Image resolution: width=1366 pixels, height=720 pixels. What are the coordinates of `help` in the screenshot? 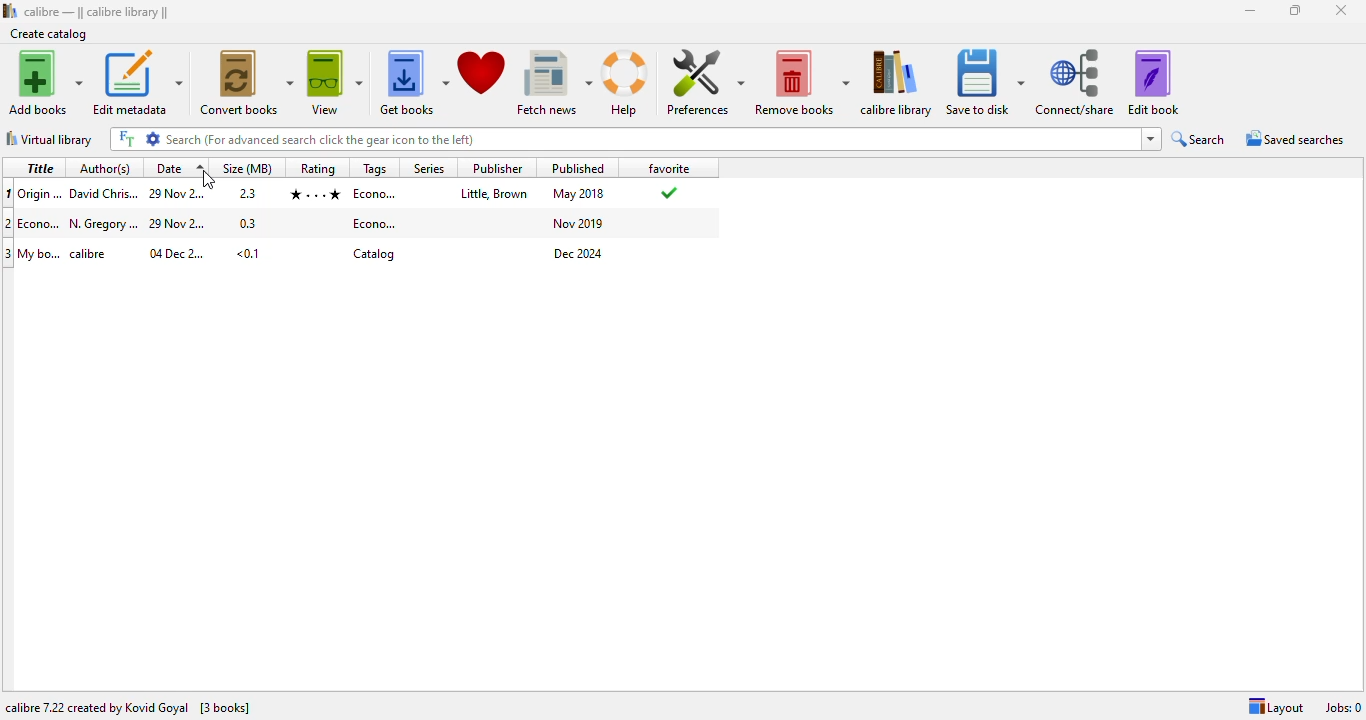 It's located at (627, 83).